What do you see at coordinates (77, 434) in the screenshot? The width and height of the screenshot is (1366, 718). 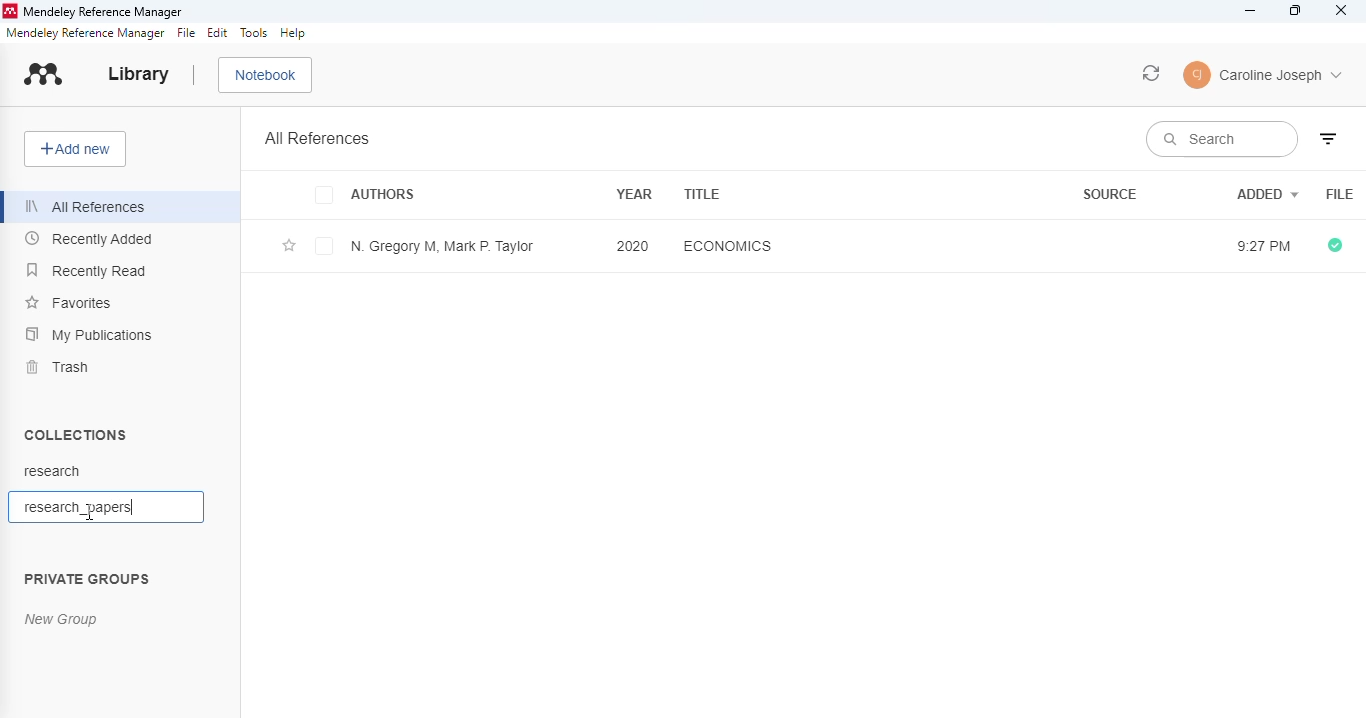 I see `collections` at bounding box center [77, 434].